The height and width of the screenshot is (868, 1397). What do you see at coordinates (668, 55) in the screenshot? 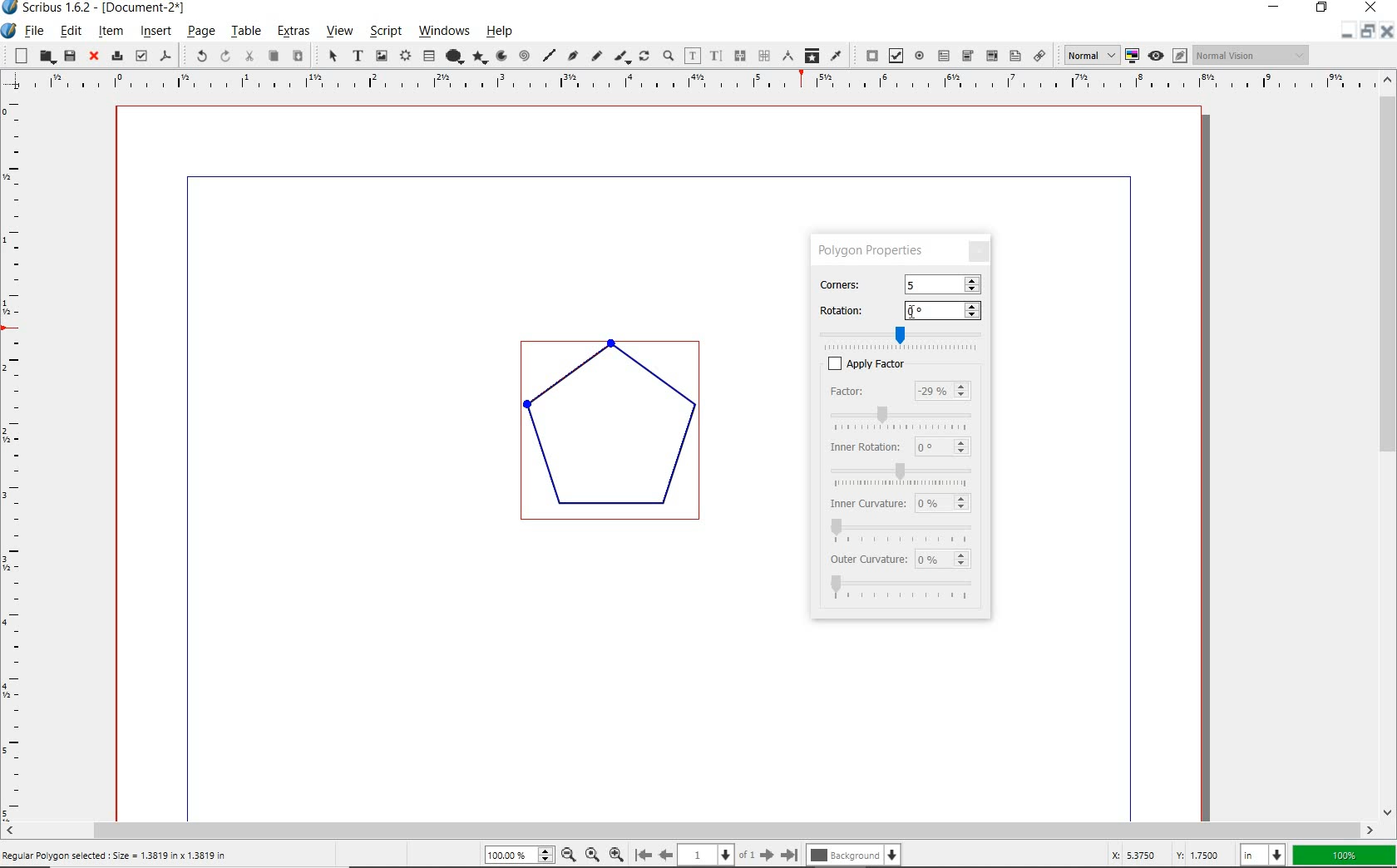
I see `zoom in or zoom out` at bounding box center [668, 55].